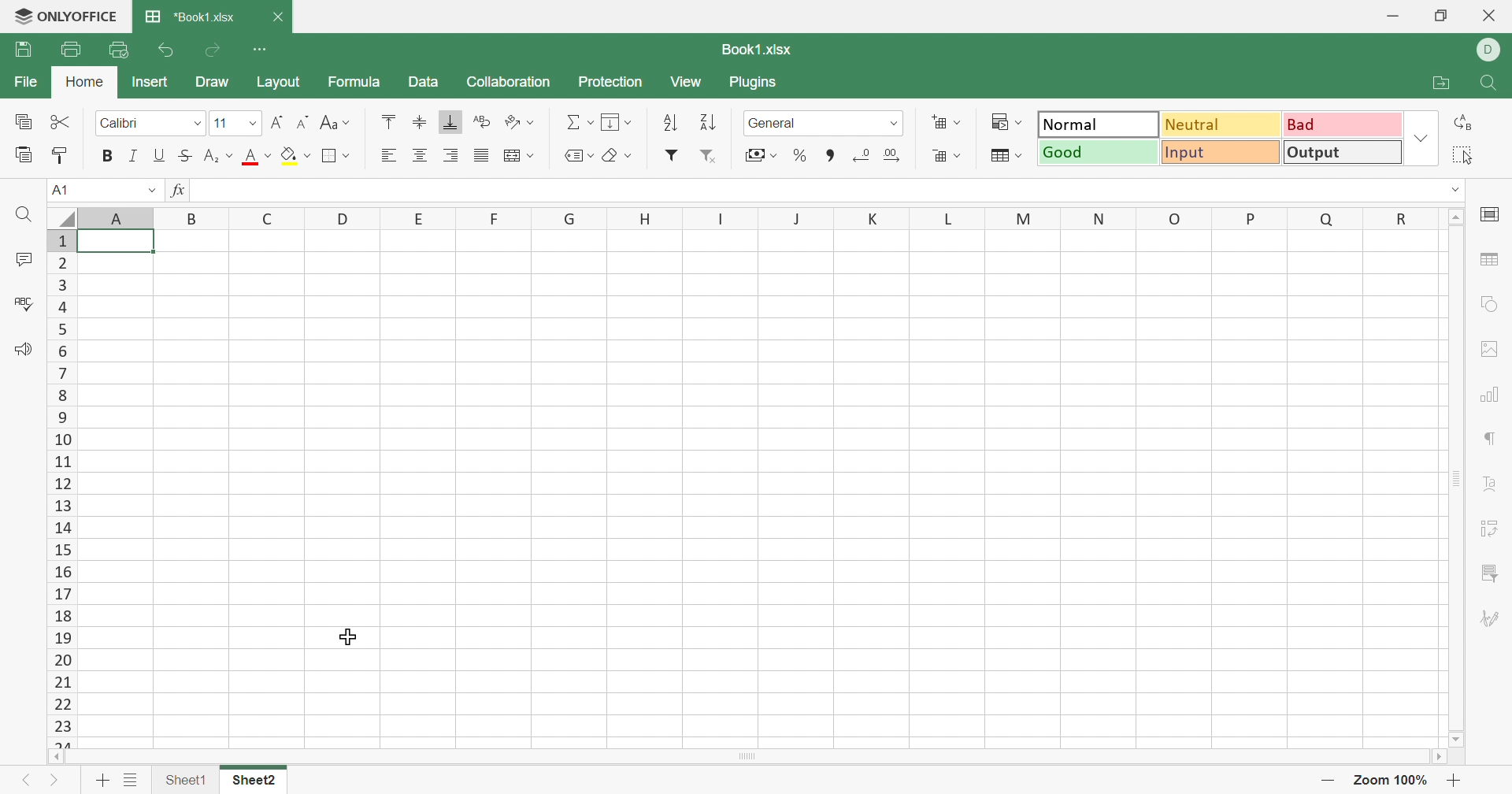  What do you see at coordinates (1488, 481) in the screenshot?
I see `Text Art settings` at bounding box center [1488, 481].